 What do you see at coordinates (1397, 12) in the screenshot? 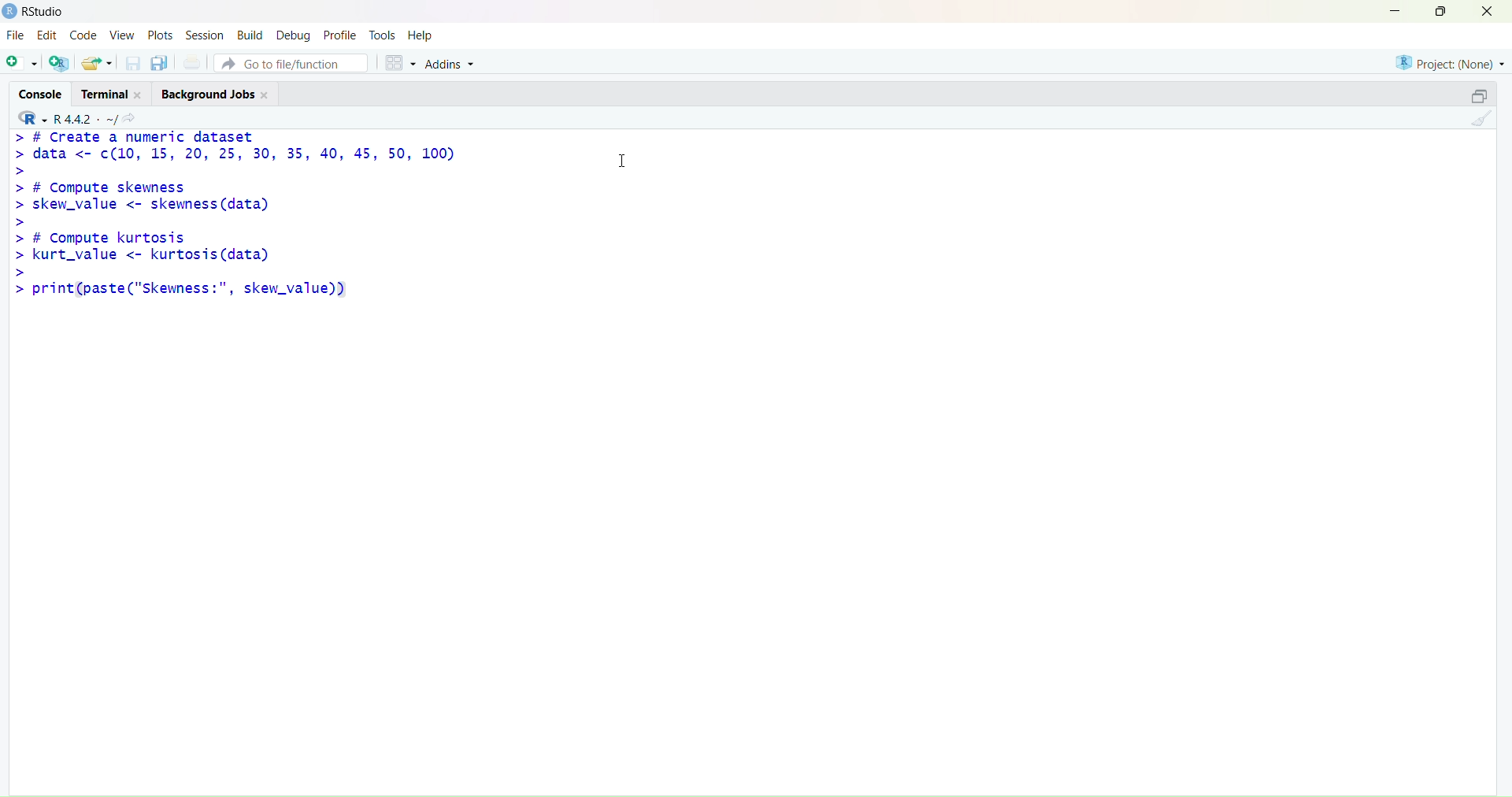
I see `Minimize` at bounding box center [1397, 12].